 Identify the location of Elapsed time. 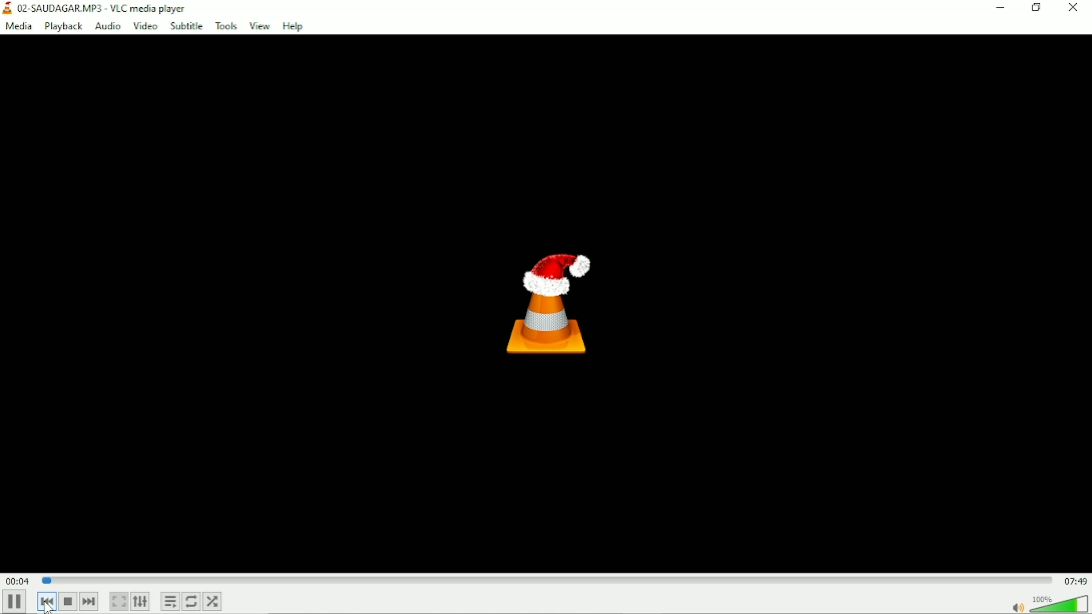
(18, 581).